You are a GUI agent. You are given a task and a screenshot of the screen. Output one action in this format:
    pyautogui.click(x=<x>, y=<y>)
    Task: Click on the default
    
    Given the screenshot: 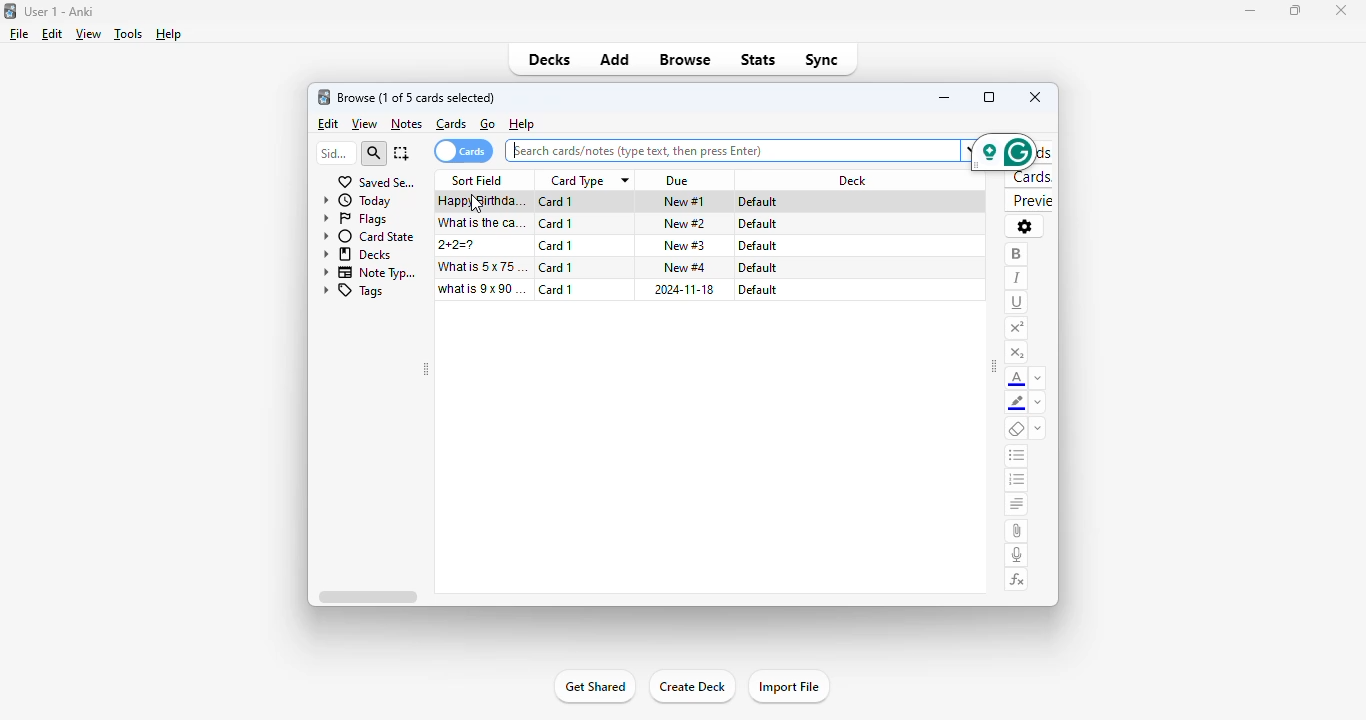 What is the action you would take?
    pyautogui.click(x=758, y=290)
    